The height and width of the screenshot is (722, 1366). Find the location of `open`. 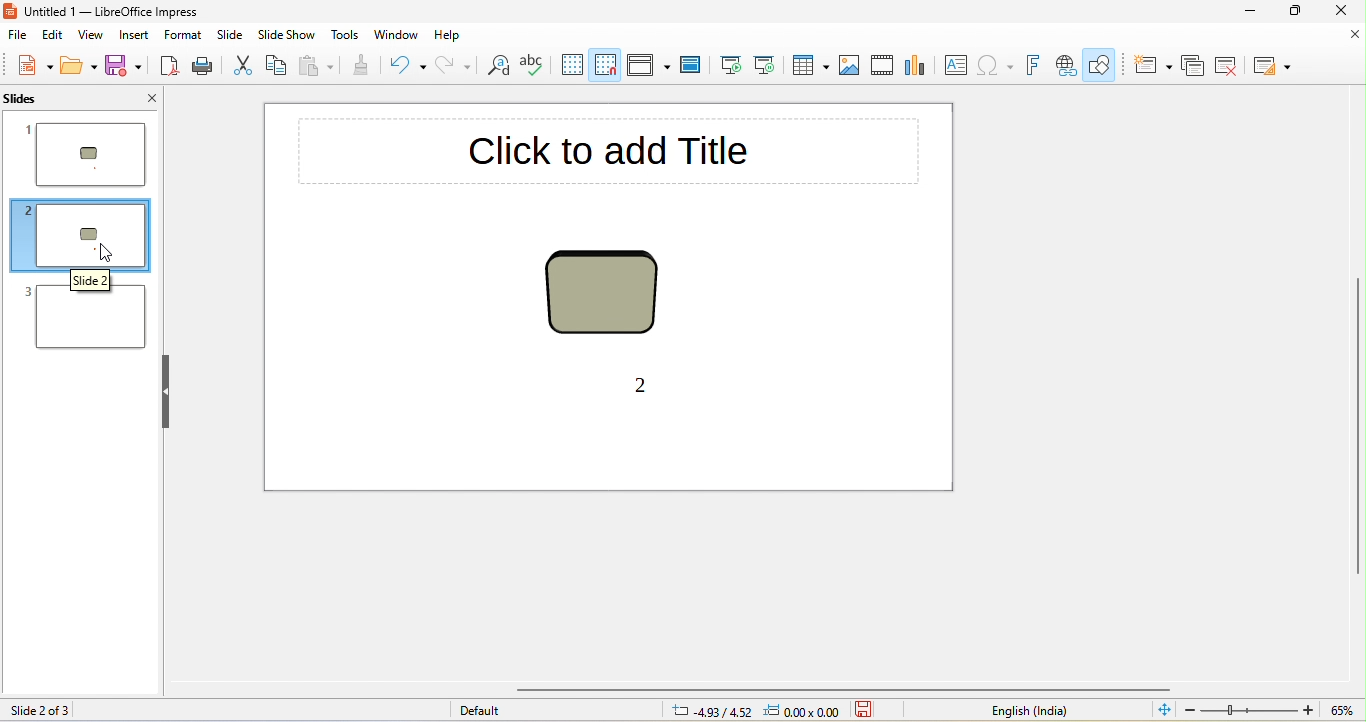

open is located at coordinates (80, 68).